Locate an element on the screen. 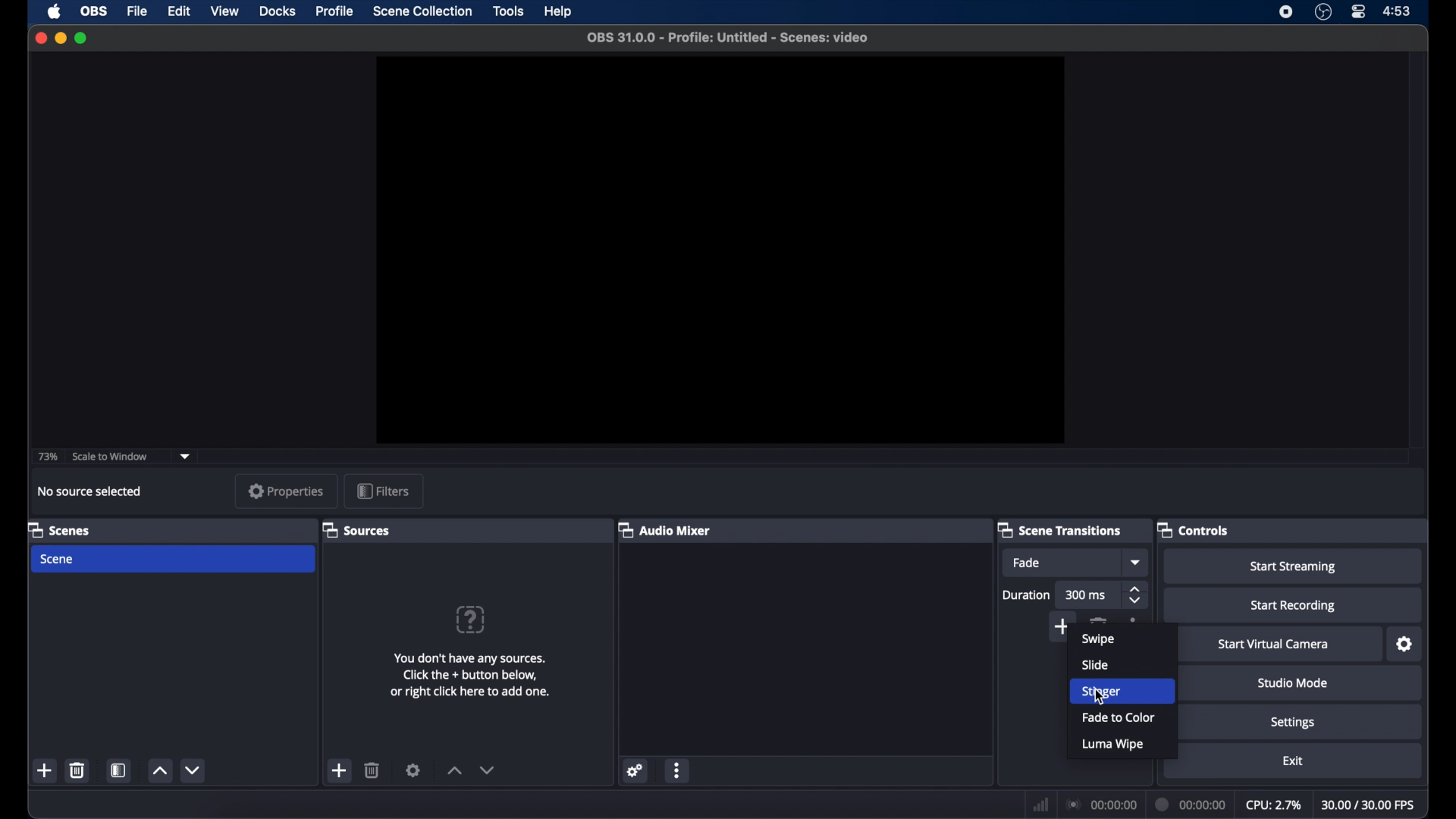 This screenshot has height=819, width=1456. scale to window is located at coordinates (112, 457).